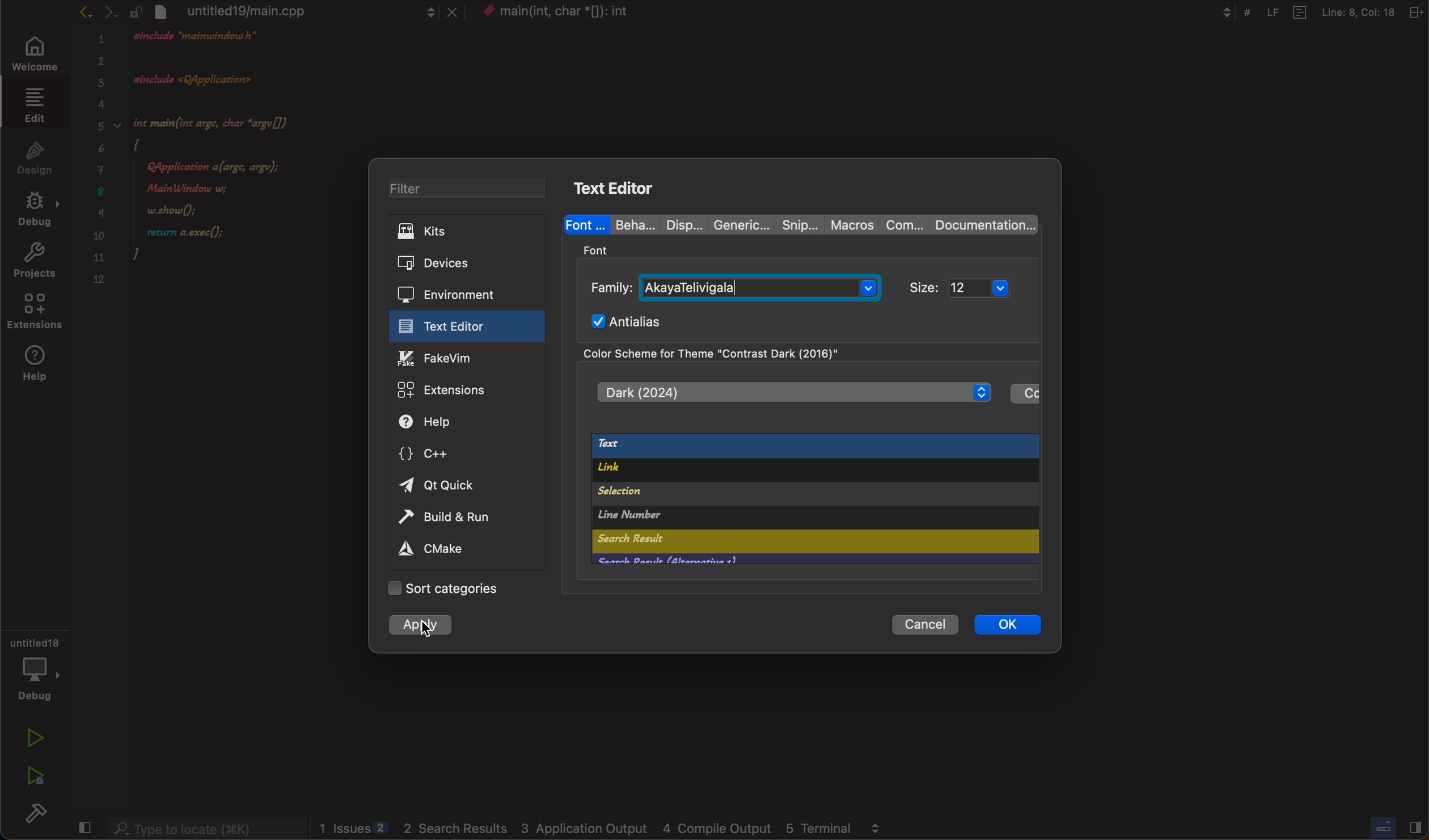  What do you see at coordinates (737, 223) in the screenshot?
I see `generic` at bounding box center [737, 223].